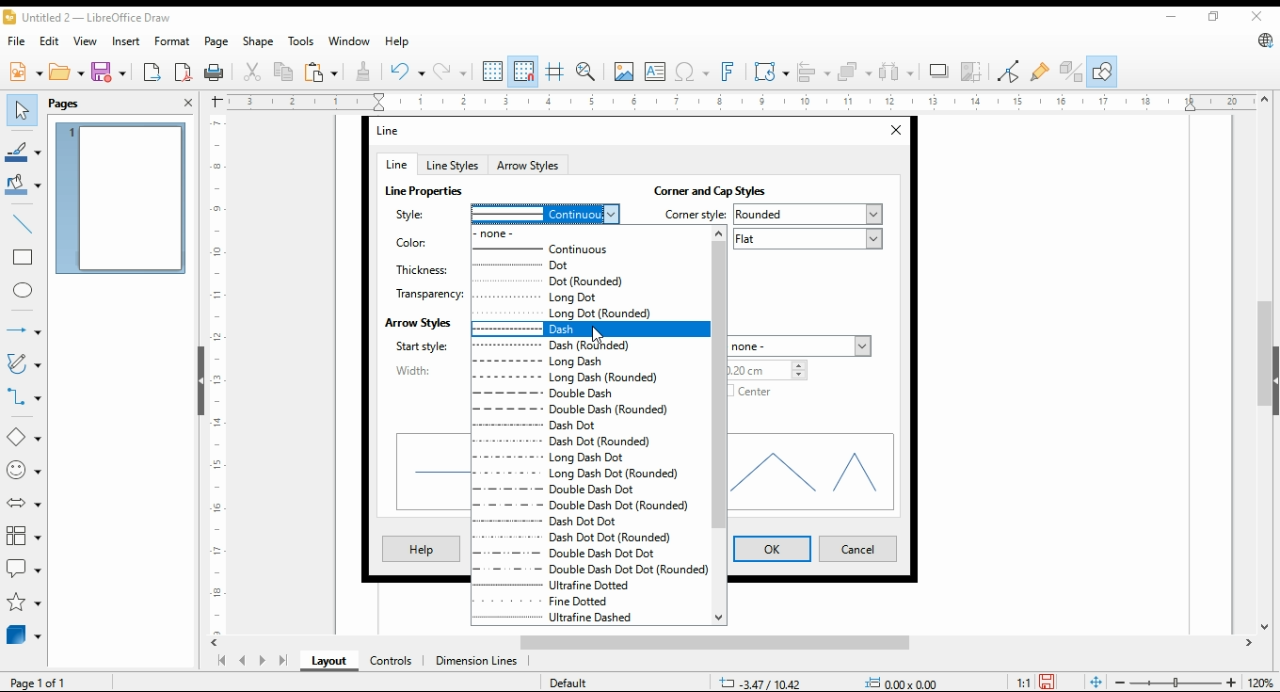  What do you see at coordinates (581, 379) in the screenshot?
I see `long dash rounded` at bounding box center [581, 379].